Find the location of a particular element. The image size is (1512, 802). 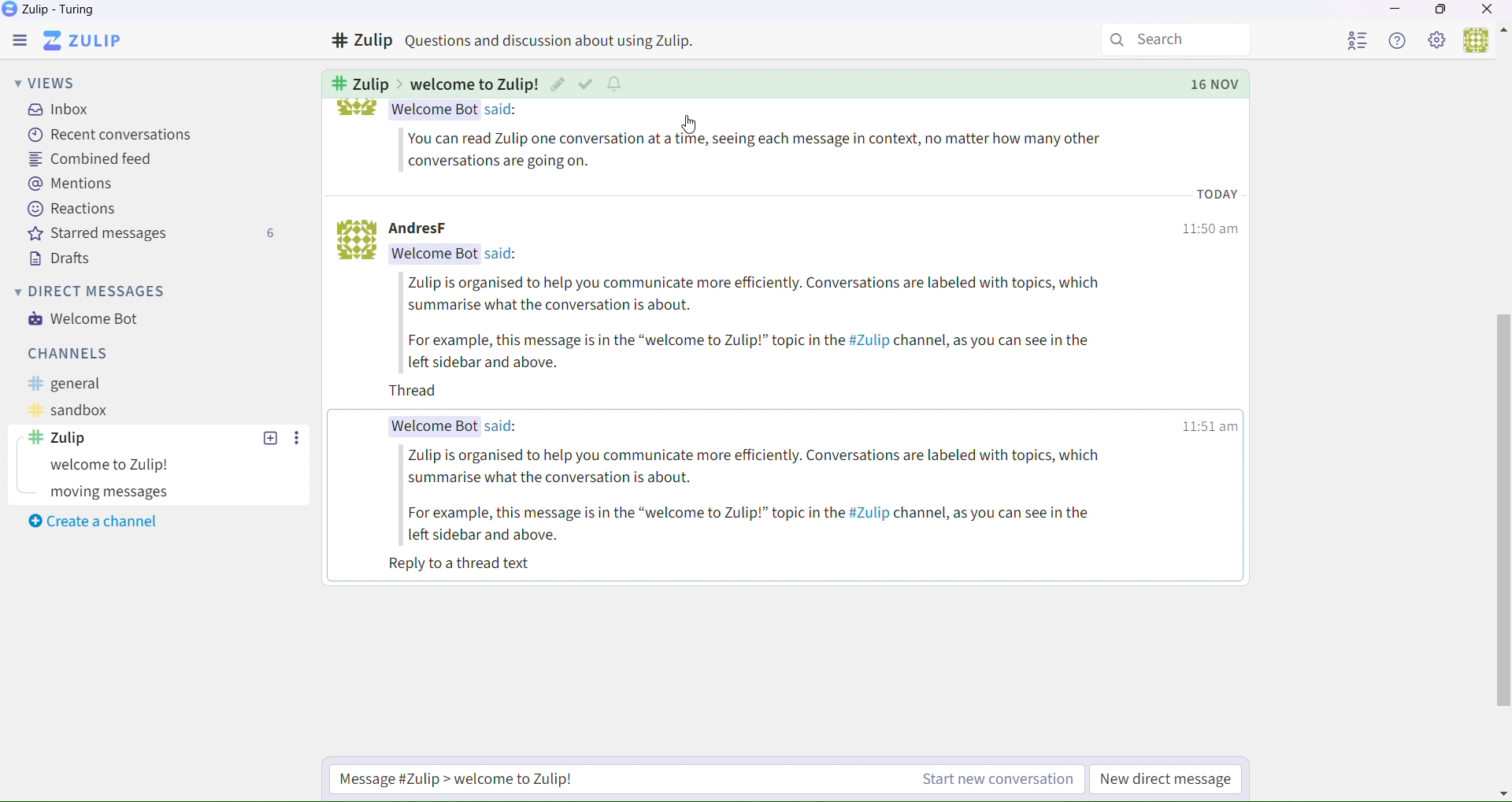

Help is located at coordinates (1399, 42).